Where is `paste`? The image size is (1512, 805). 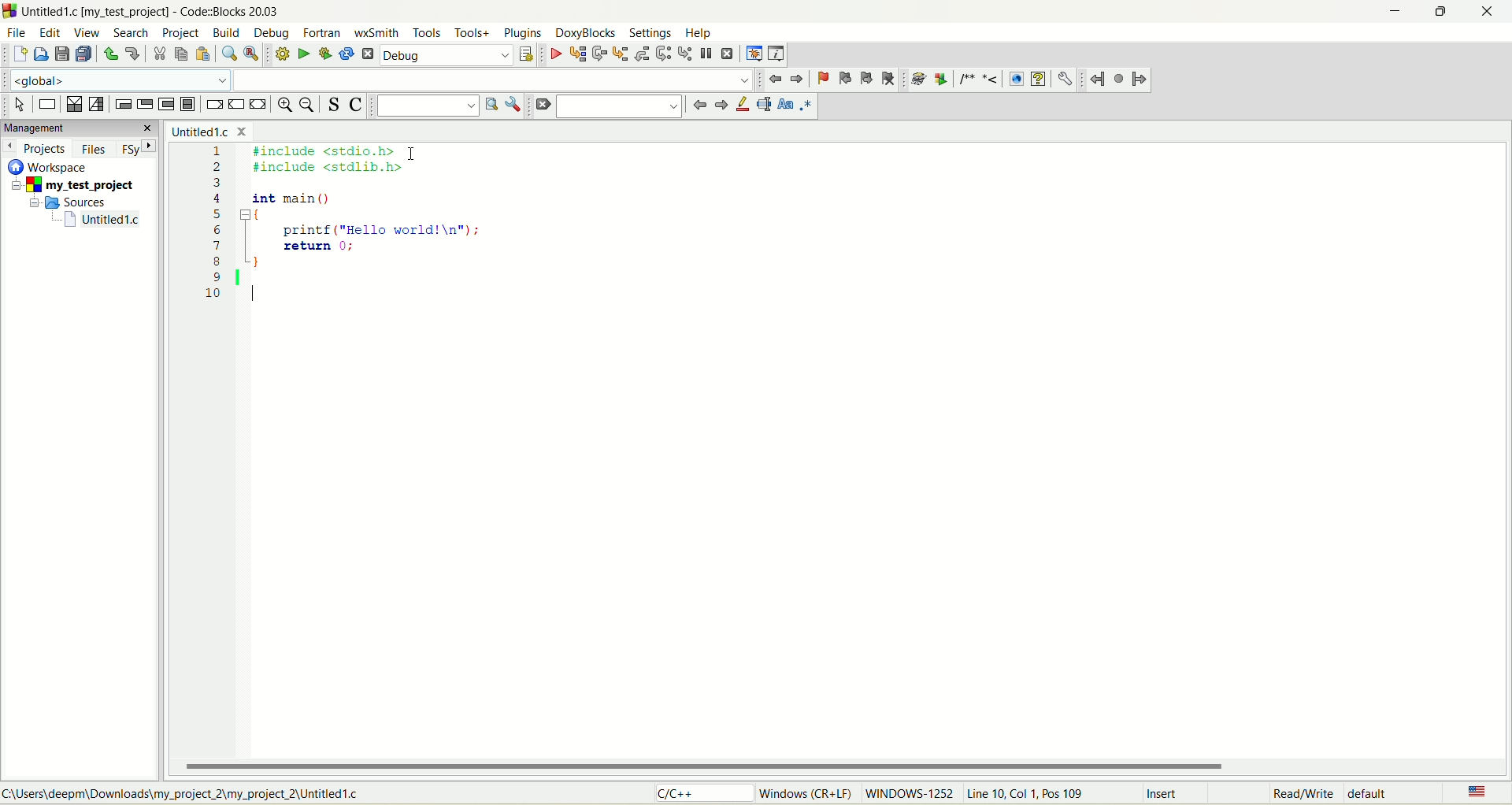 paste is located at coordinates (203, 54).